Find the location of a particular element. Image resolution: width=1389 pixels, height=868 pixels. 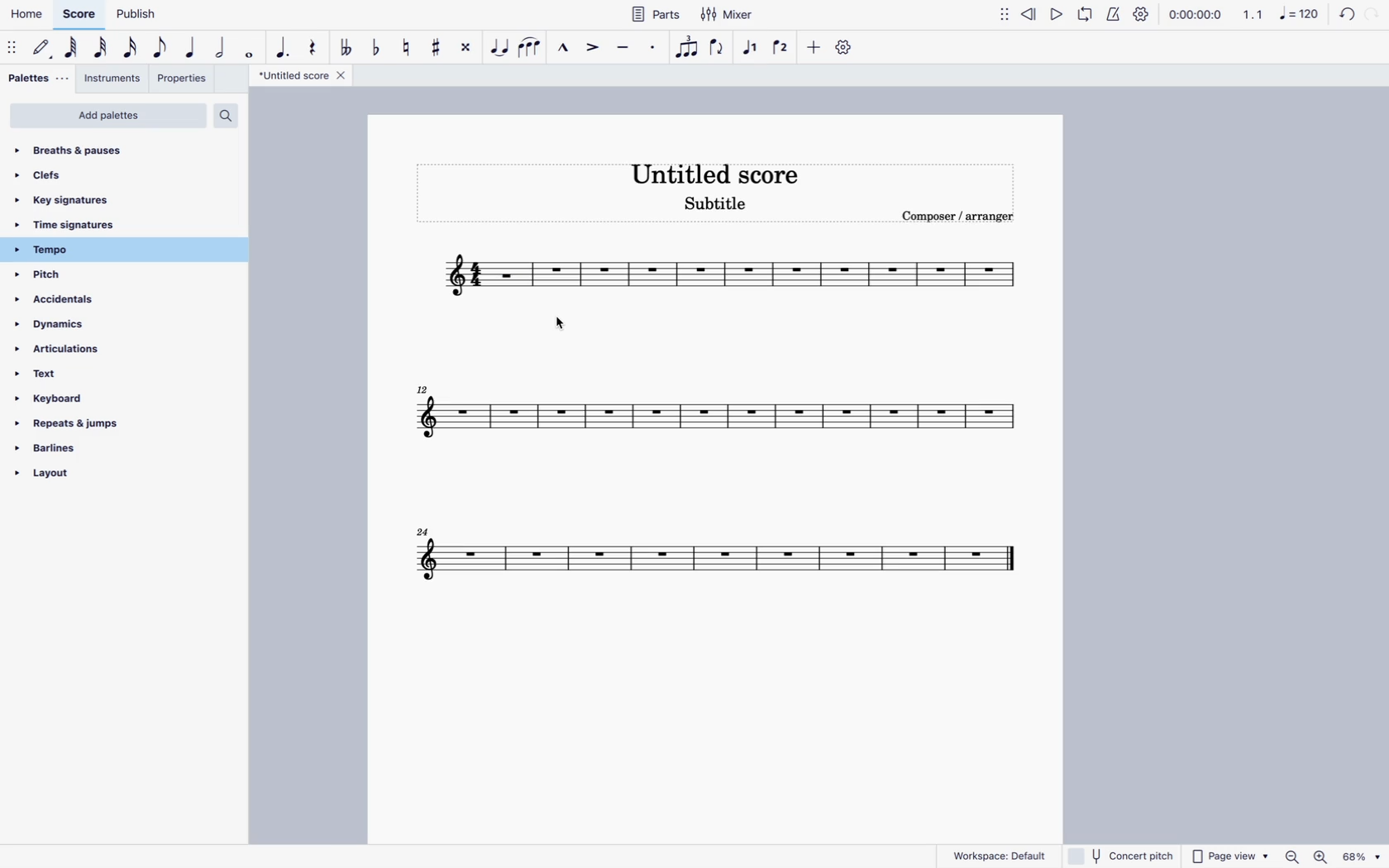

toggle natural is located at coordinates (408, 46).